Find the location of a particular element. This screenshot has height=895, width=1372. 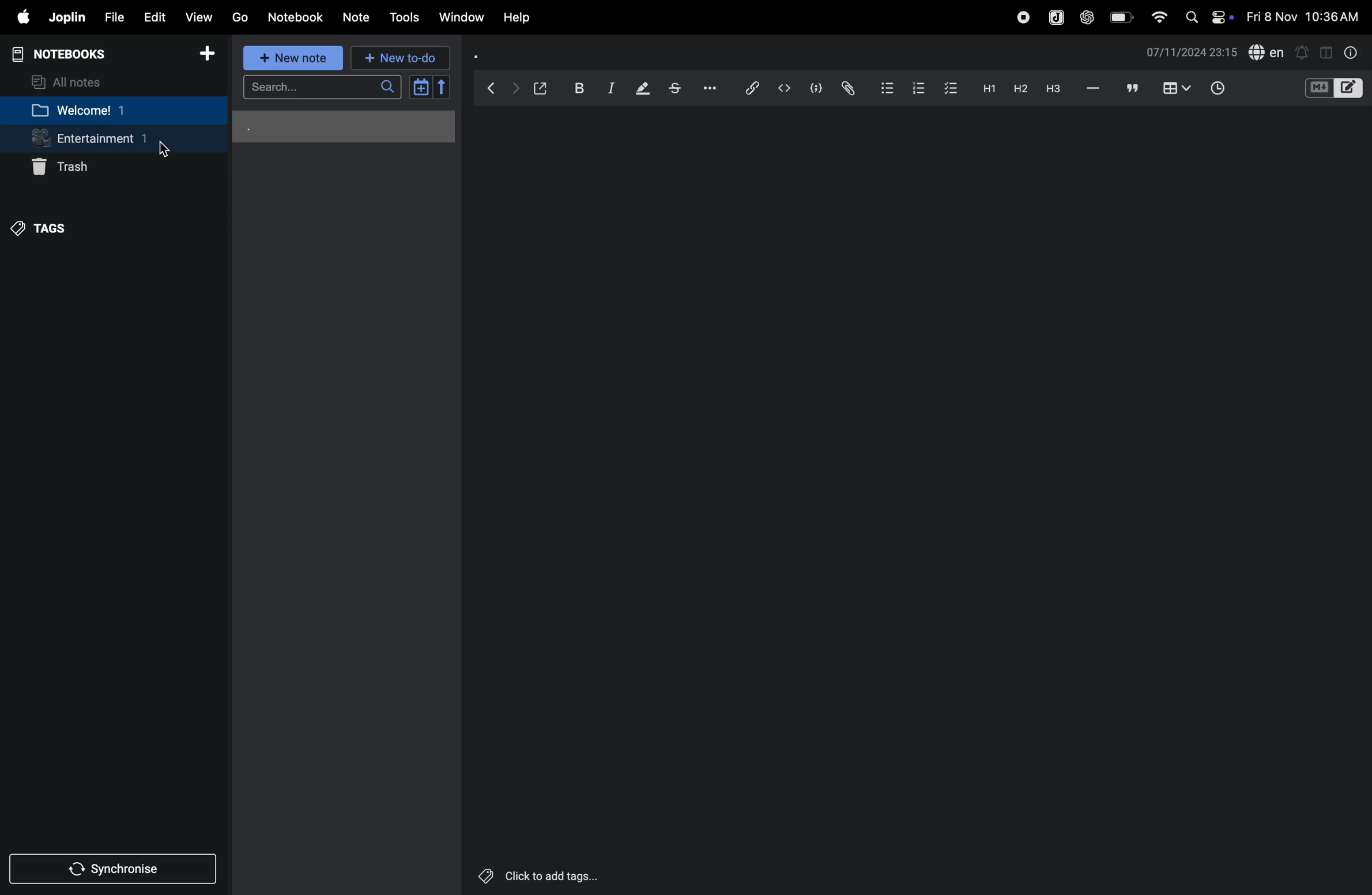

horrizontal line is located at coordinates (1092, 89).